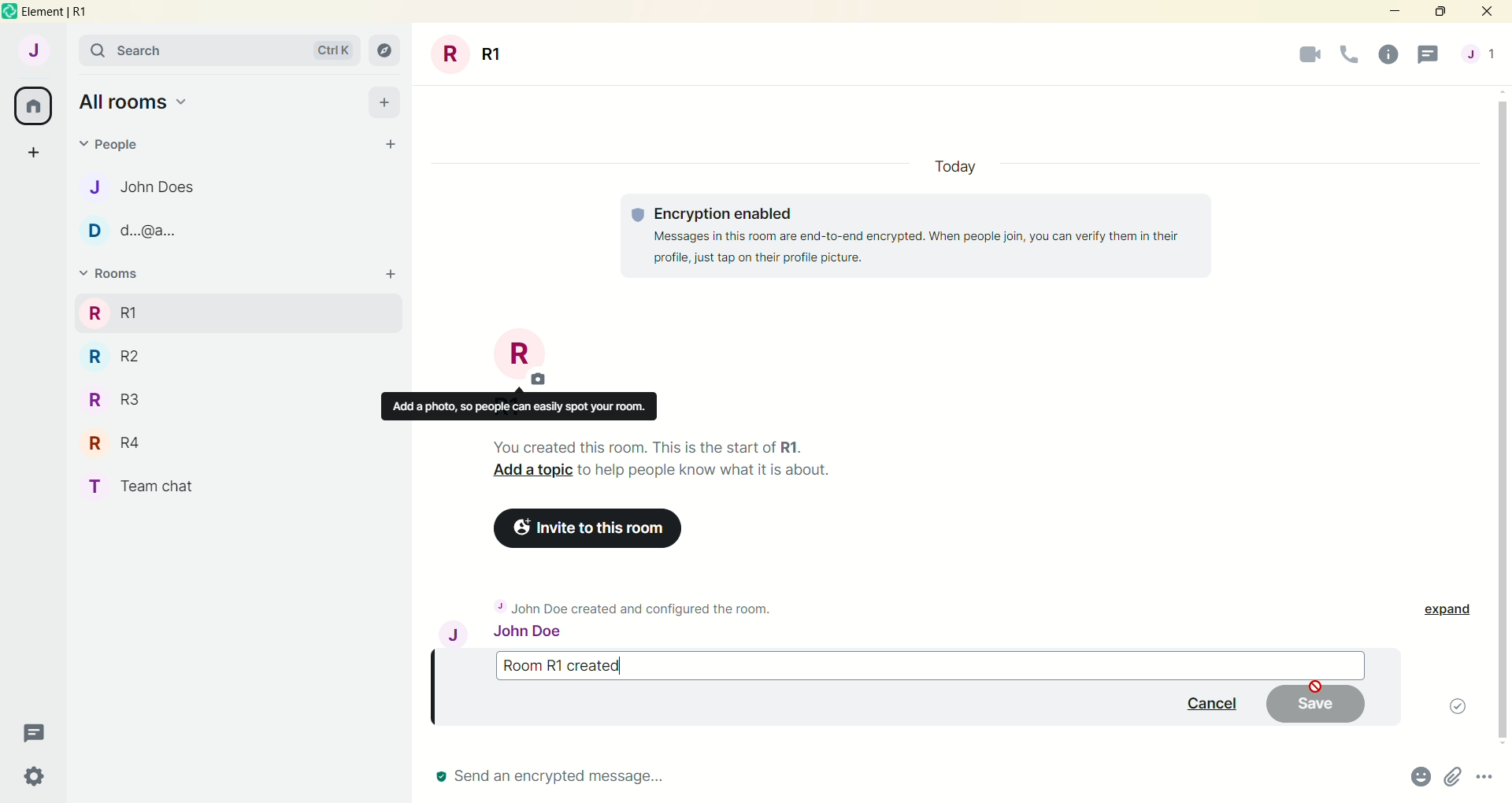 This screenshot has width=1512, height=803. Describe the element at coordinates (35, 54) in the screenshot. I see `account` at that location.